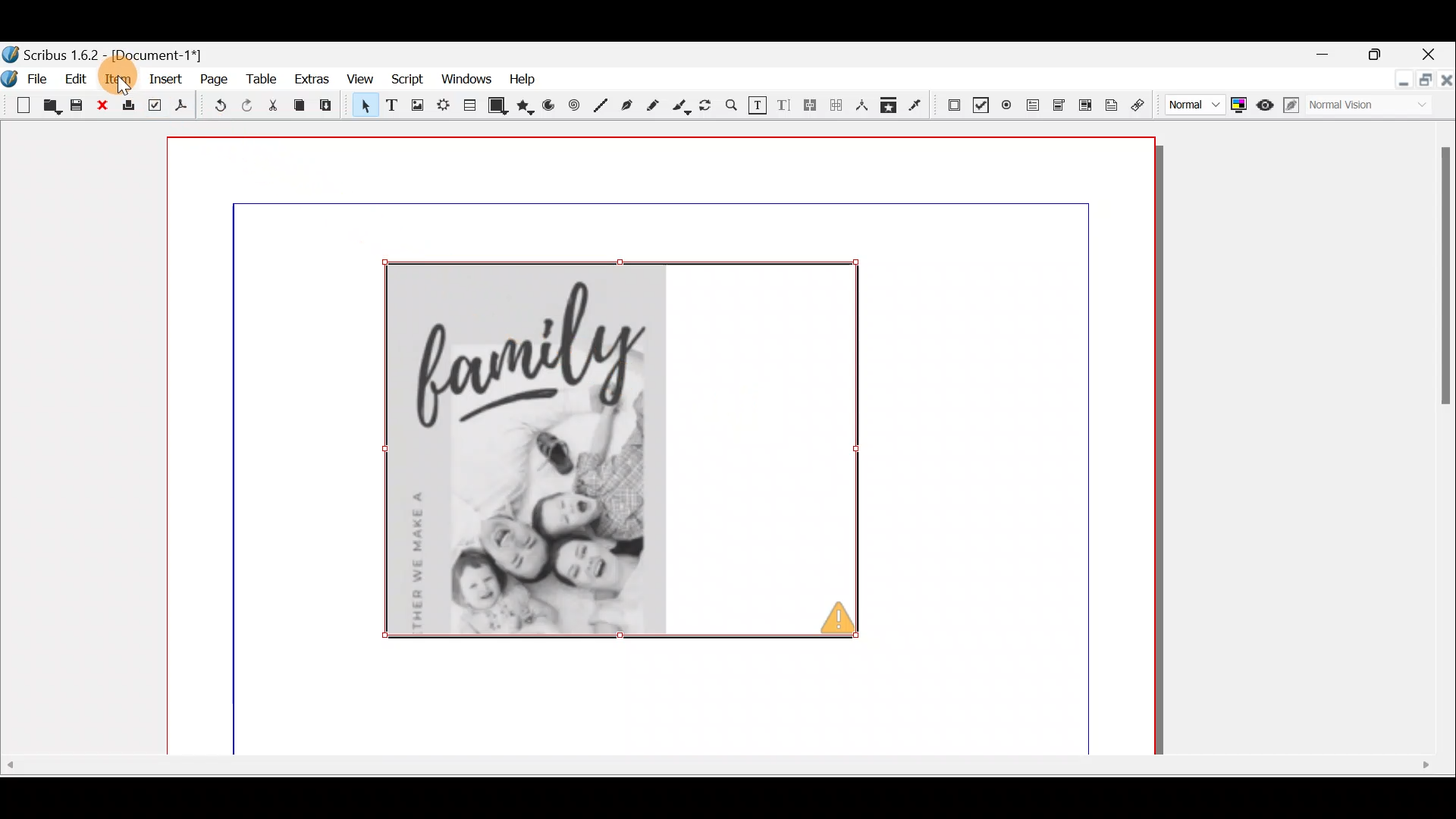  Describe the element at coordinates (118, 52) in the screenshot. I see `Document name` at that location.